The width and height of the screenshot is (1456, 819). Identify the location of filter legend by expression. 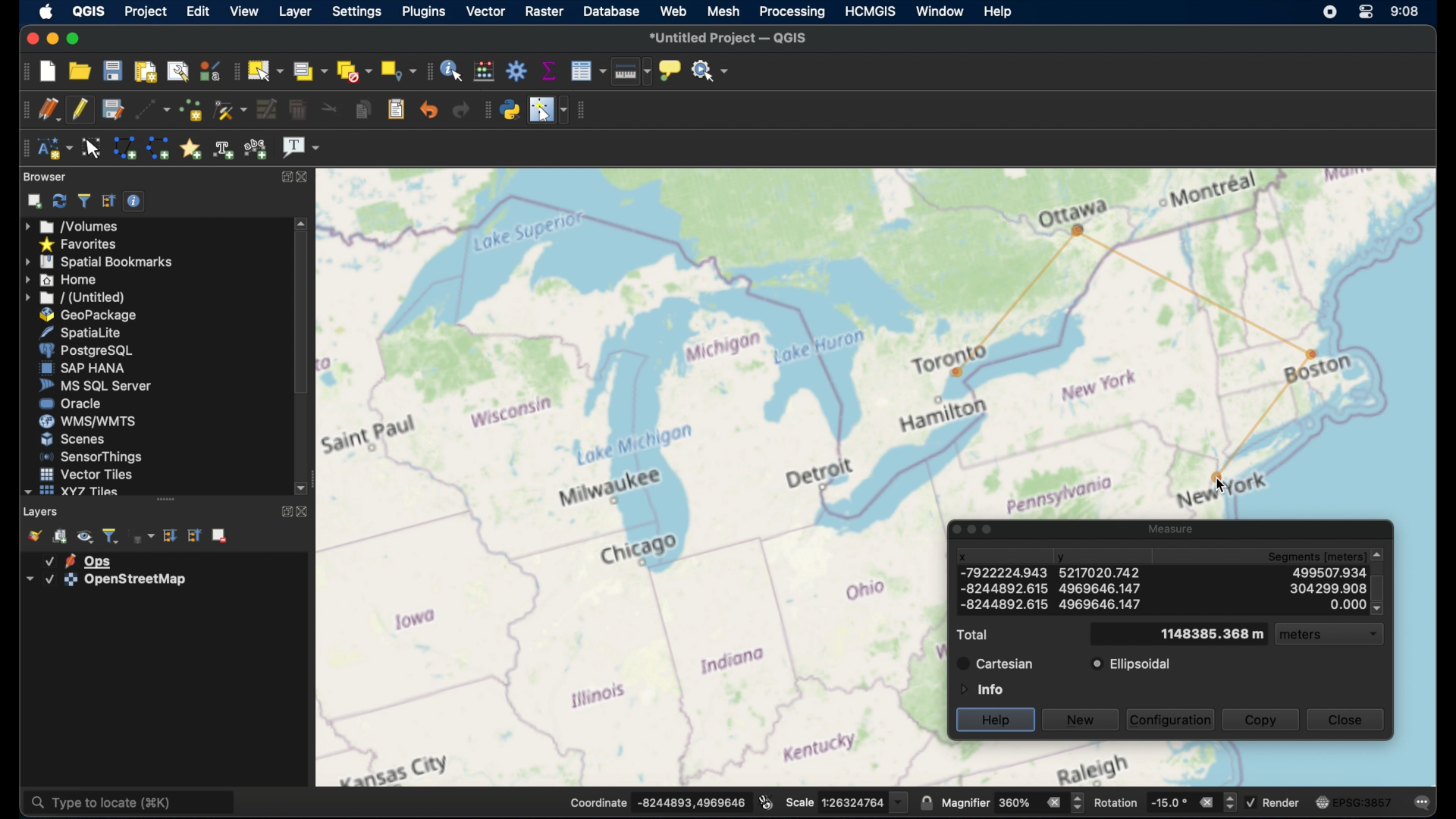
(143, 538).